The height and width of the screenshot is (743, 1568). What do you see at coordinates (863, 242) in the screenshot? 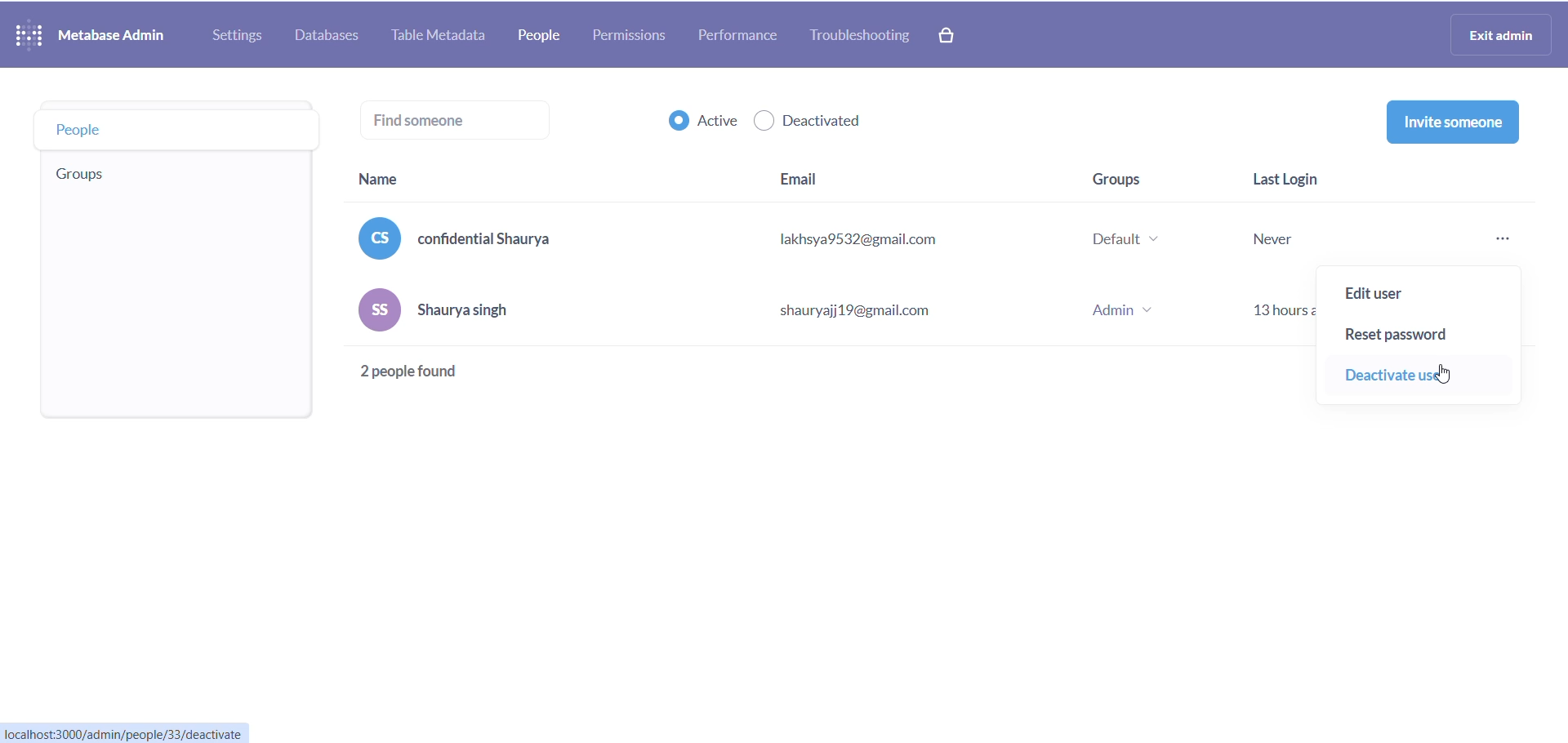
I see `email` at bounding box center [863, 242].